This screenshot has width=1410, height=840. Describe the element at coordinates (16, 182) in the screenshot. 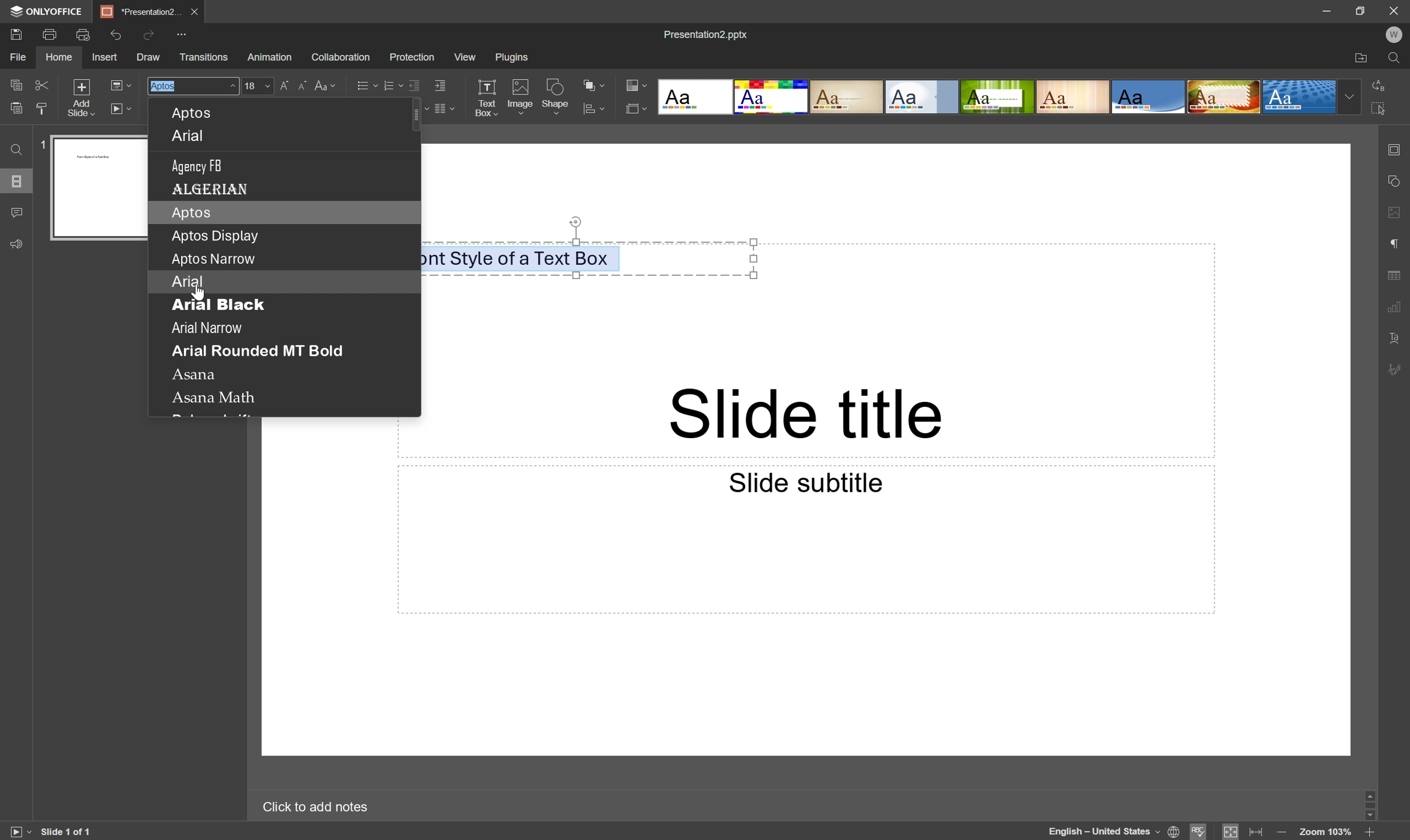

I see `Slides` at that location.